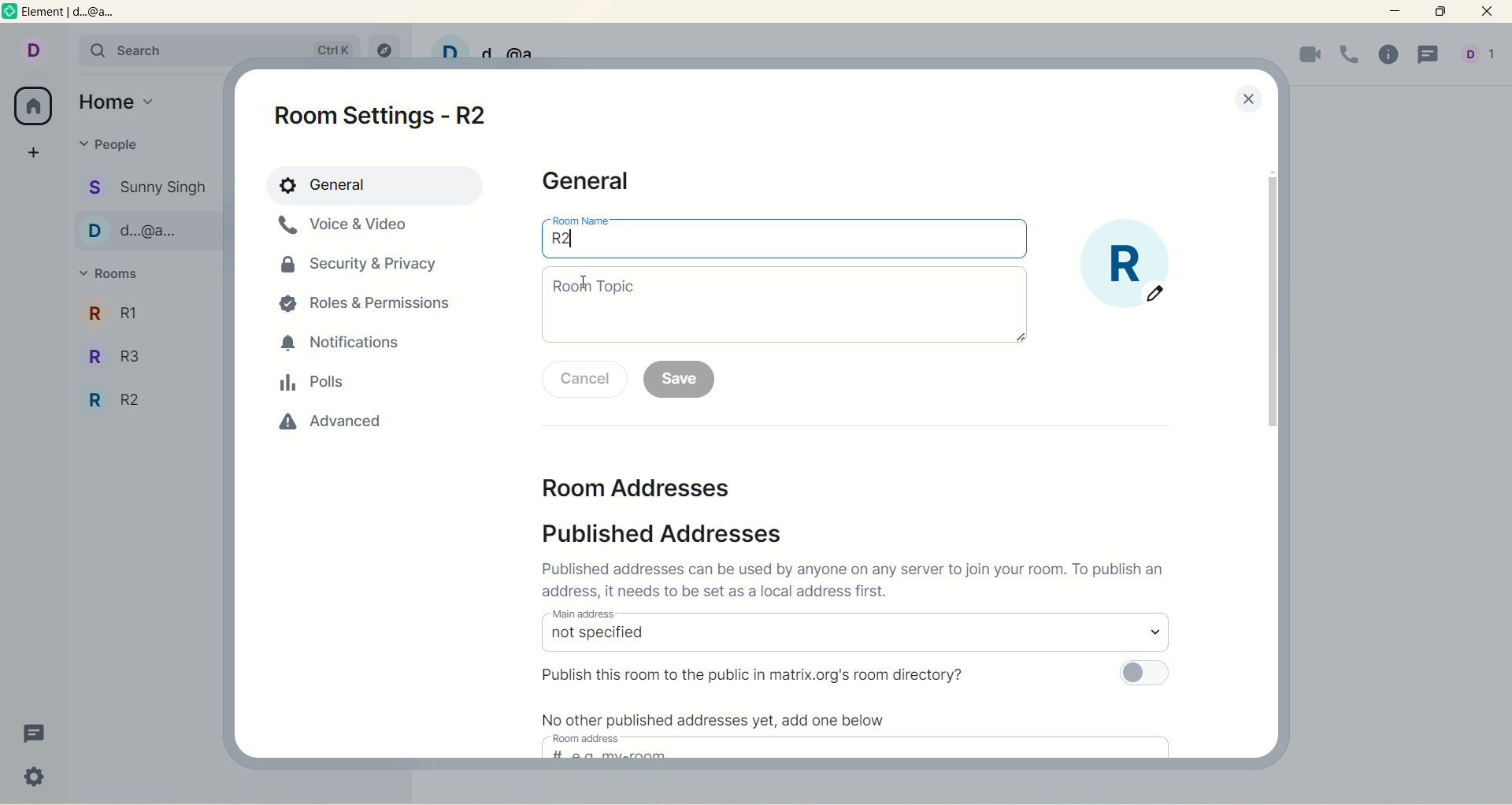  I want to click on R3, so click(141, 353).